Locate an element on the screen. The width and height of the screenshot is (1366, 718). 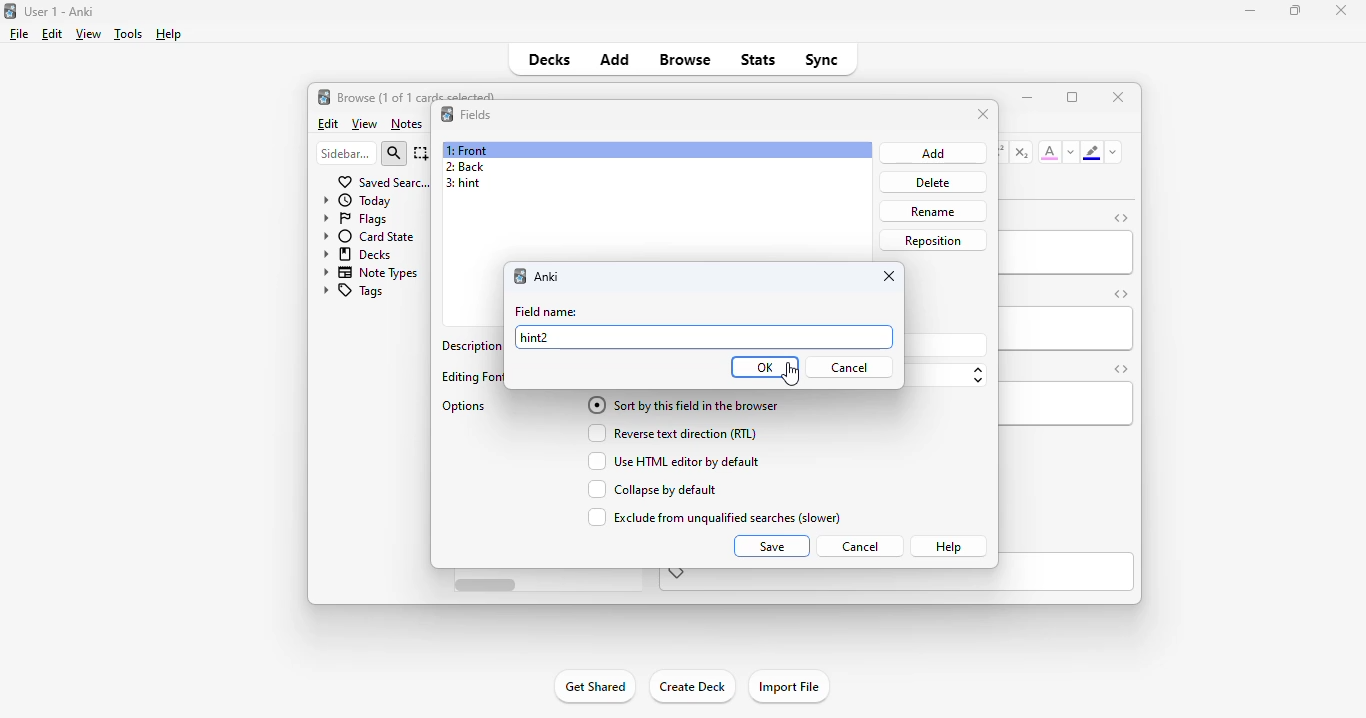
close is located at coordinates (984, 114).